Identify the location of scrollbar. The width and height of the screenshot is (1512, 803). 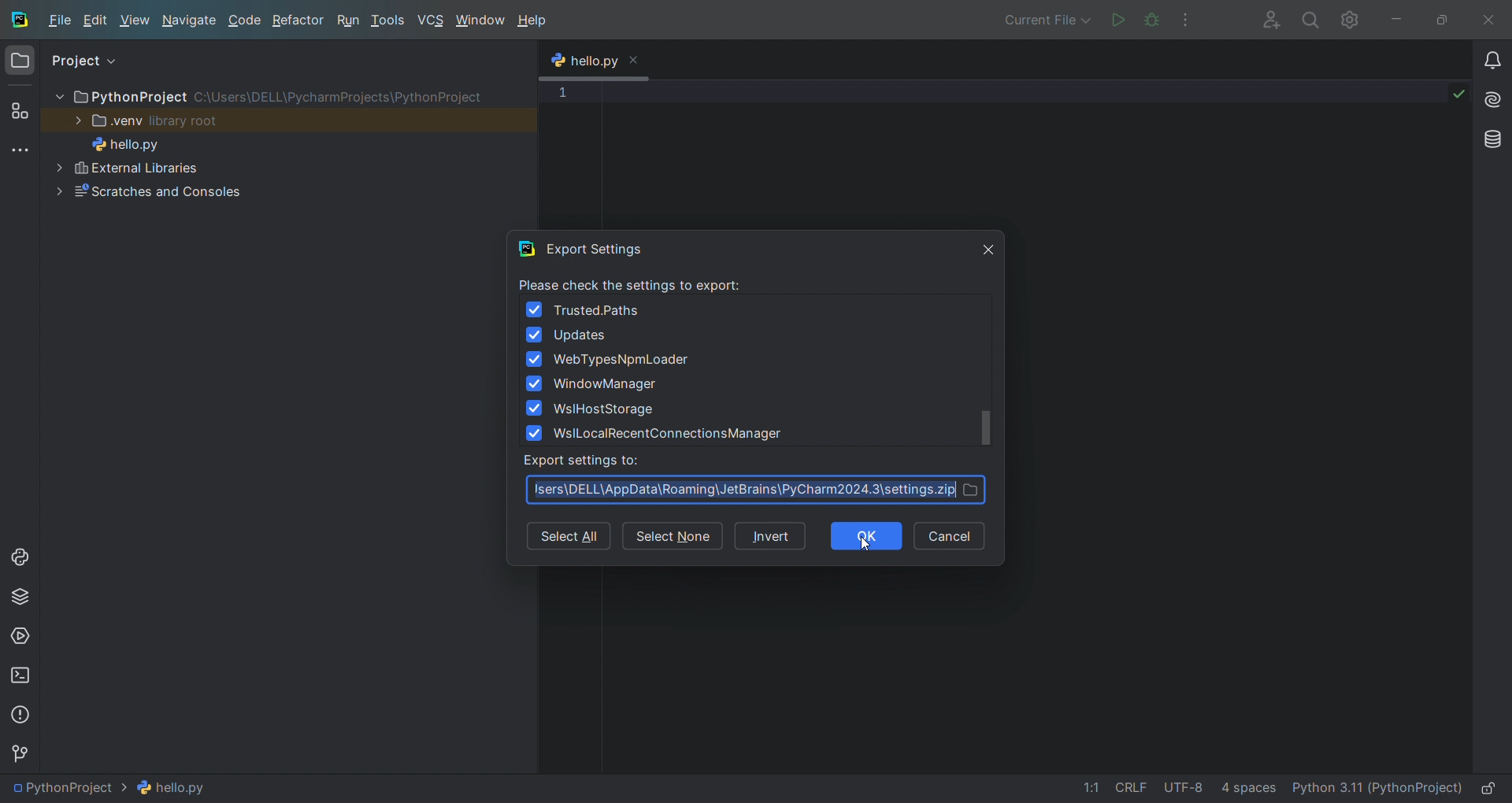
(986, 427).